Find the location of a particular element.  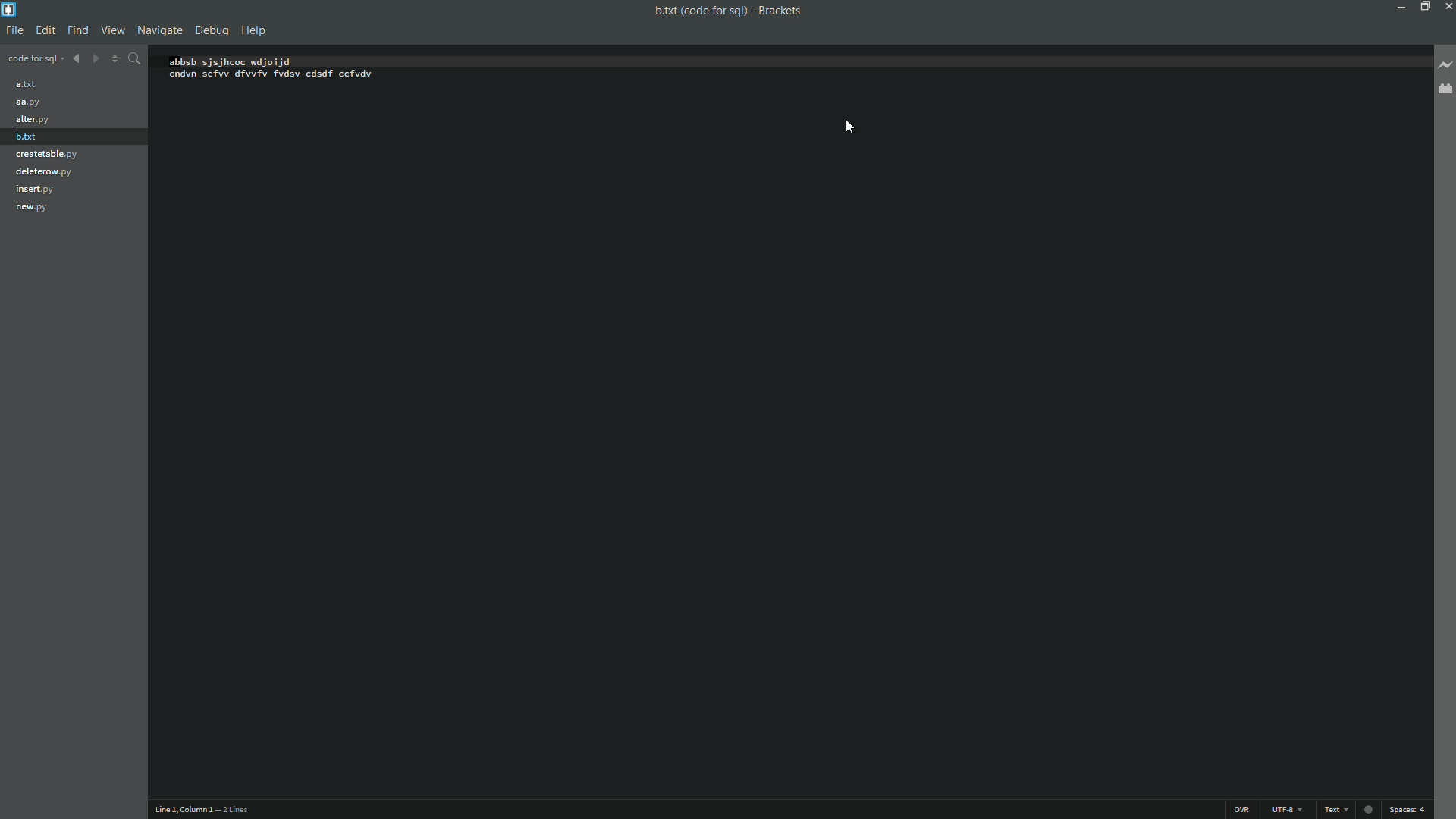

alter.py is located at coordinates (33, 120).